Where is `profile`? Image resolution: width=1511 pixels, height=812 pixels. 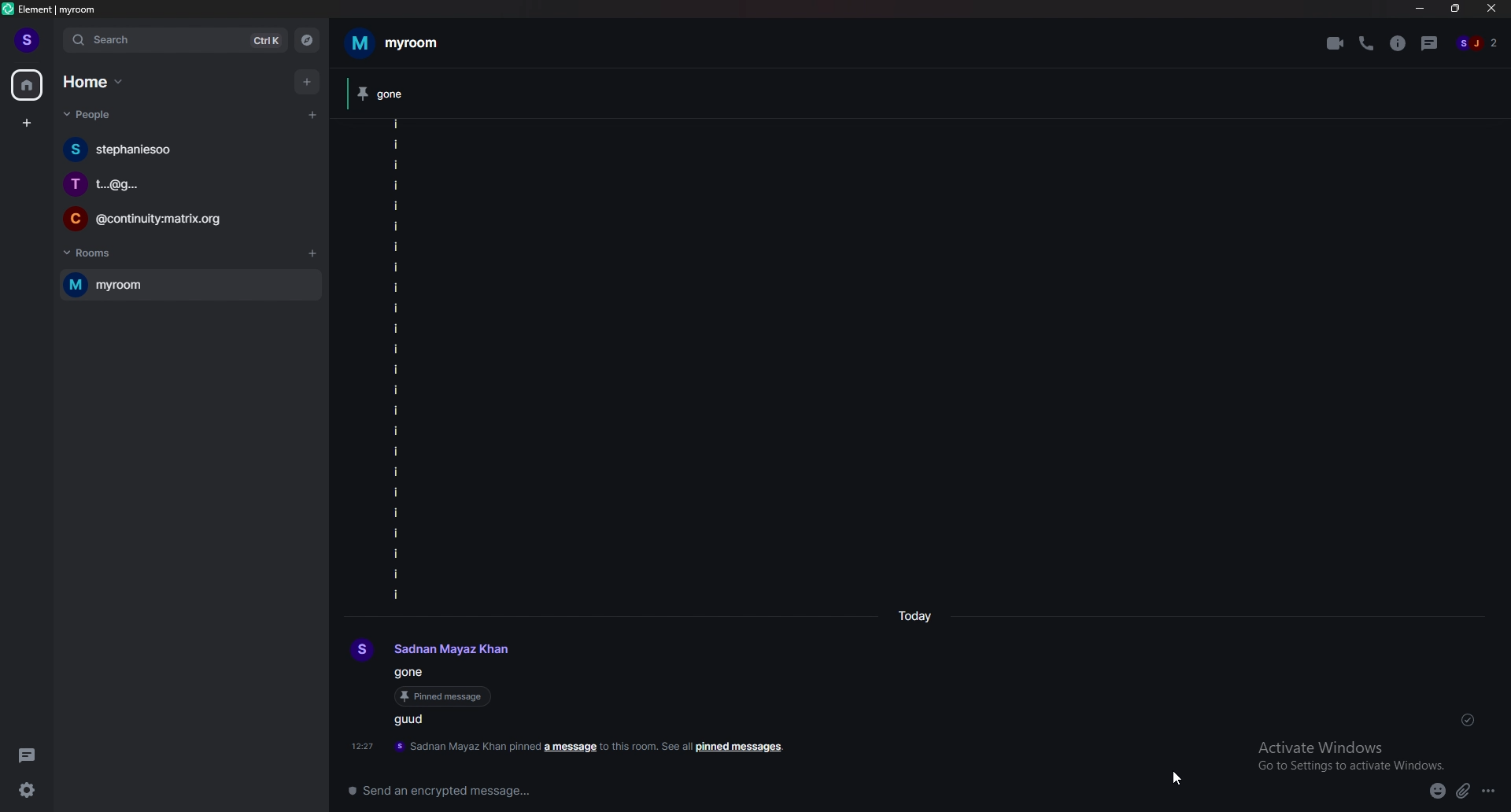 profile is located at coordinates (30, 41).